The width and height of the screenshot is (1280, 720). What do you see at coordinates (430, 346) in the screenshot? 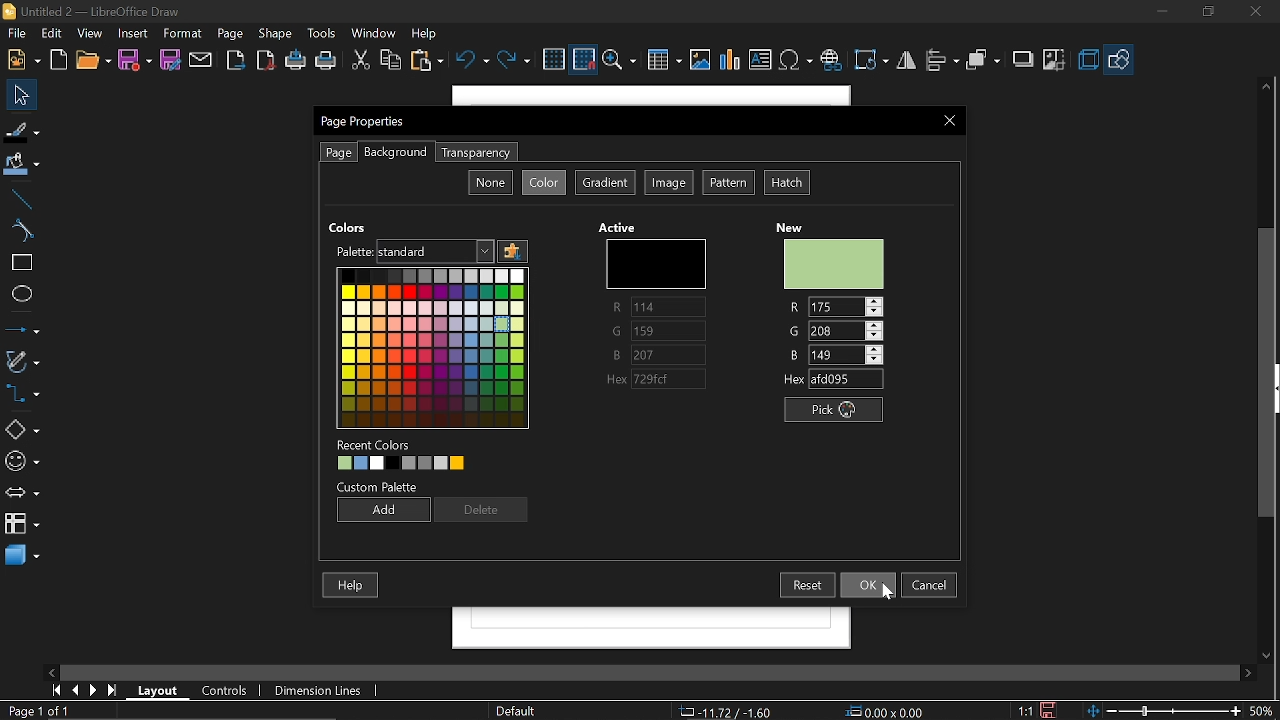
I see `Colors` at bounding box center [430, 346].